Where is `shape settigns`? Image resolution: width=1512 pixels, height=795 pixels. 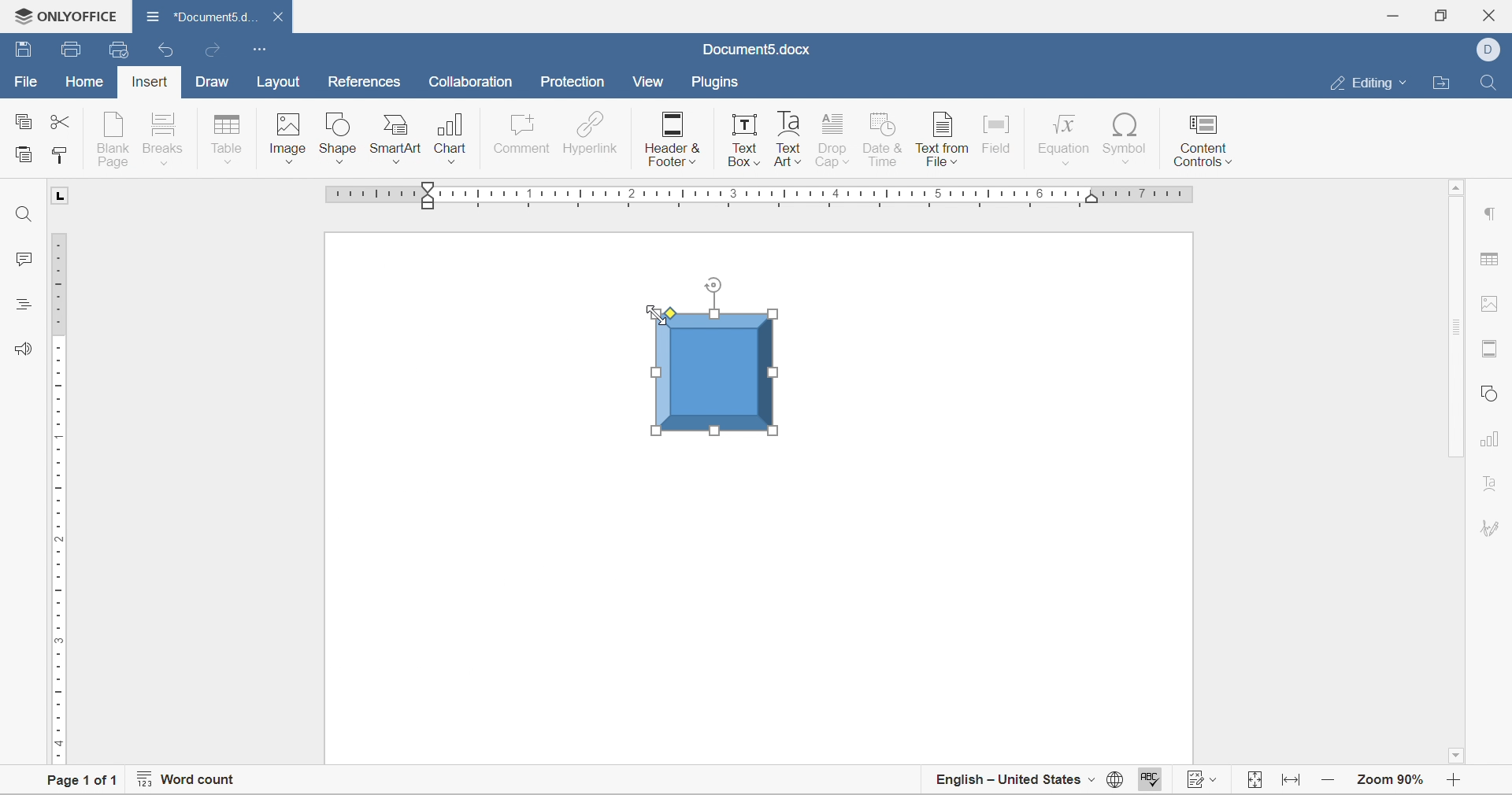 shape settigns is located at coordinates (1491, 390).